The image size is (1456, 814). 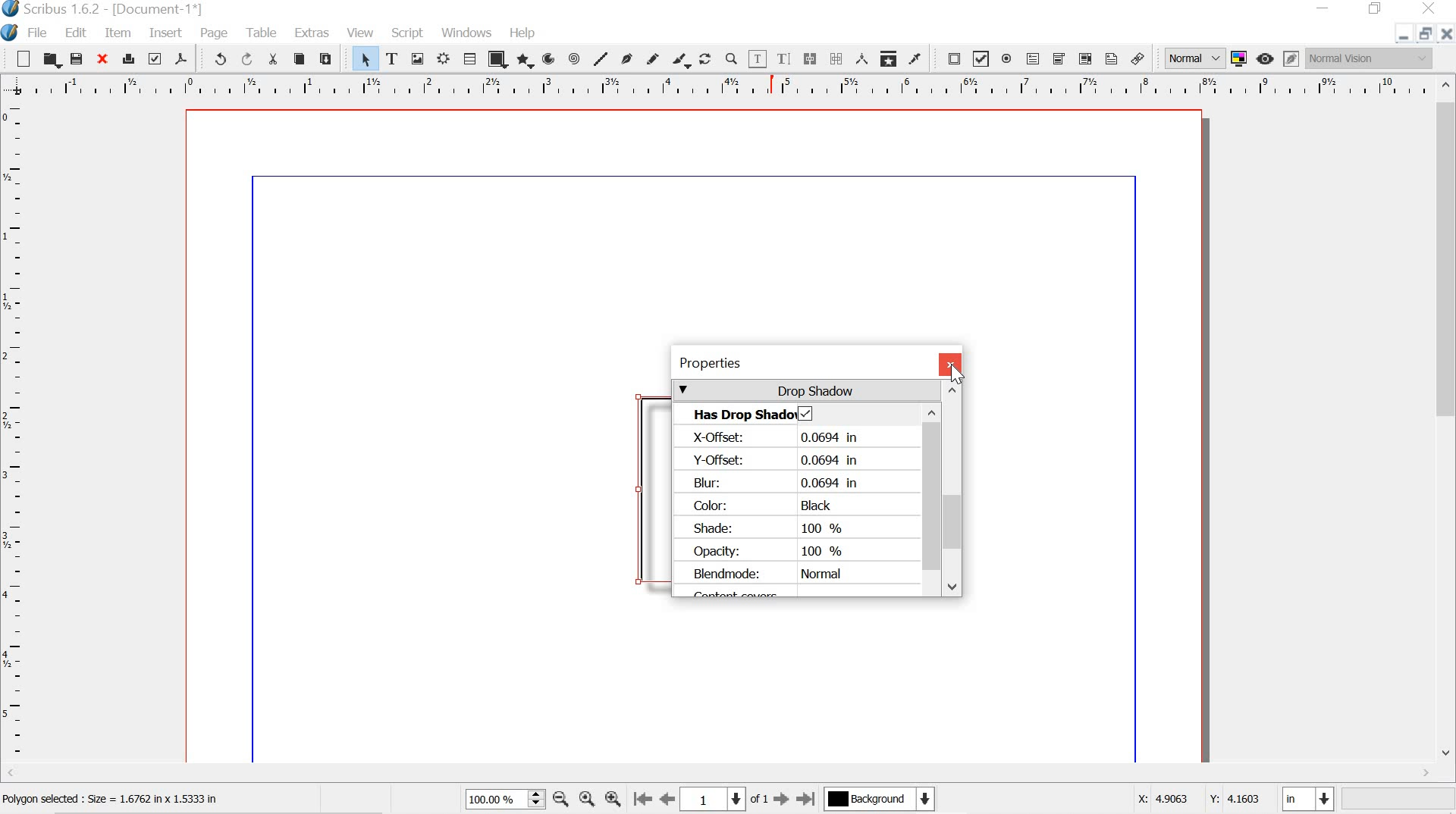 What do you see at coordinates (601, 58) in the screenshot?
I see `line` at bounding box center [601, 58].